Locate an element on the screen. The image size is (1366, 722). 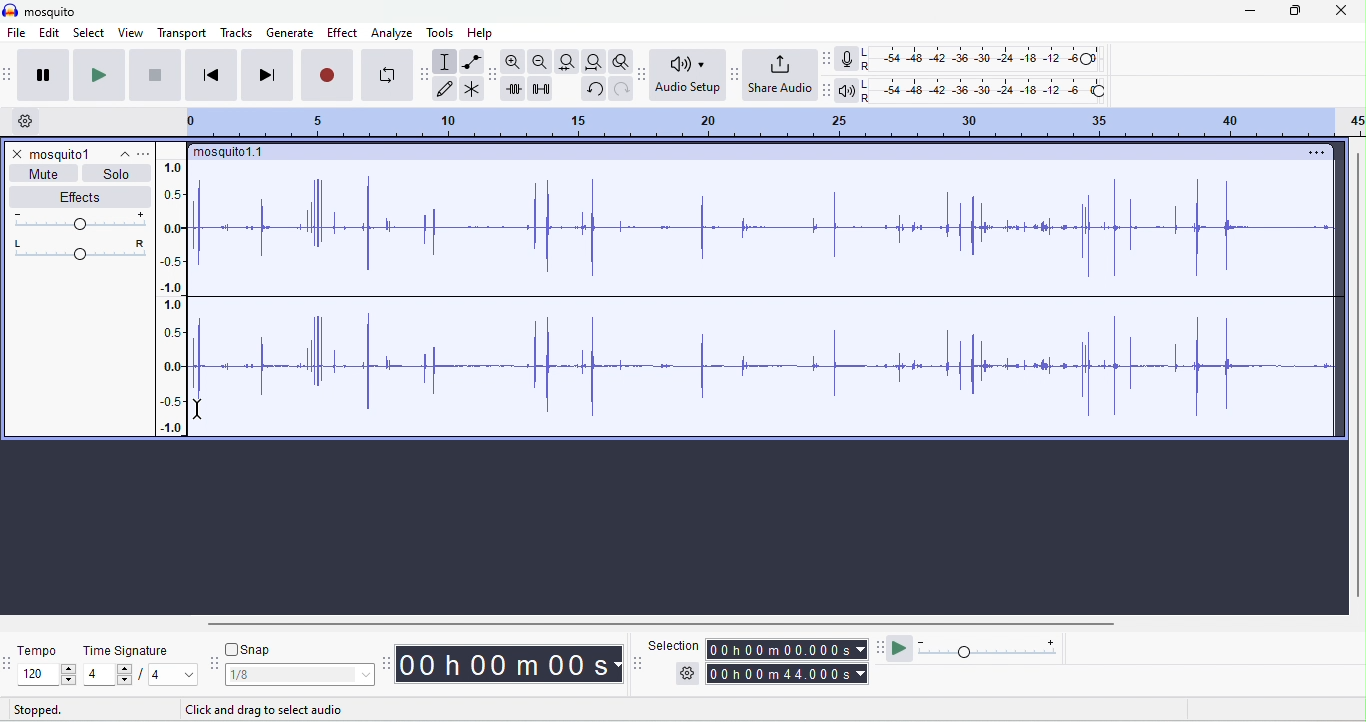
stopped is located at coordinates (36, 709).